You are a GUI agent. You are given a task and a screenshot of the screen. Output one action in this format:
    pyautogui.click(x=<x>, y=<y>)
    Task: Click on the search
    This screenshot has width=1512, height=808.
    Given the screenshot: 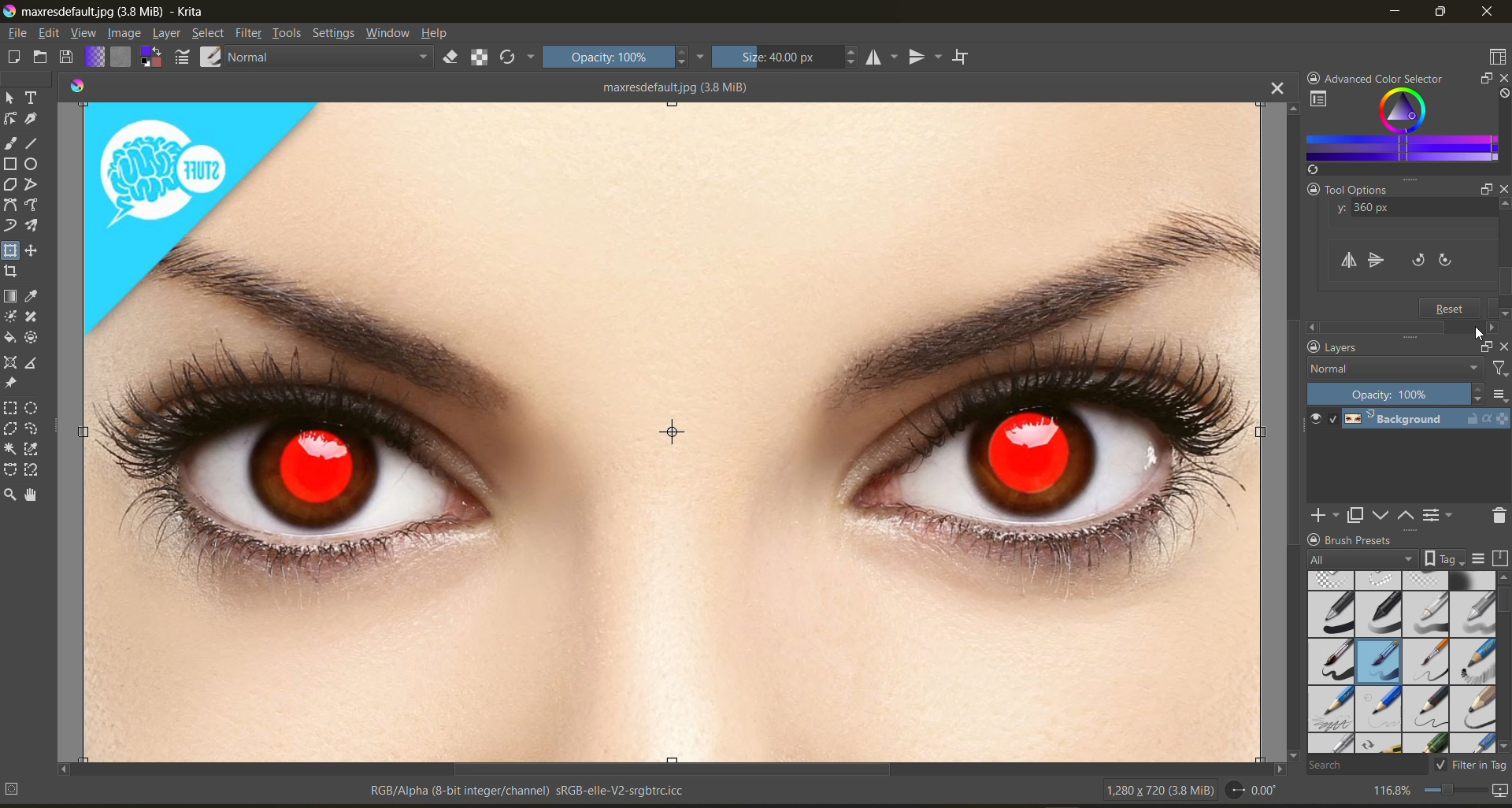 What is the action you would take?
    pyautogui.click(x=1373, y=766)
    